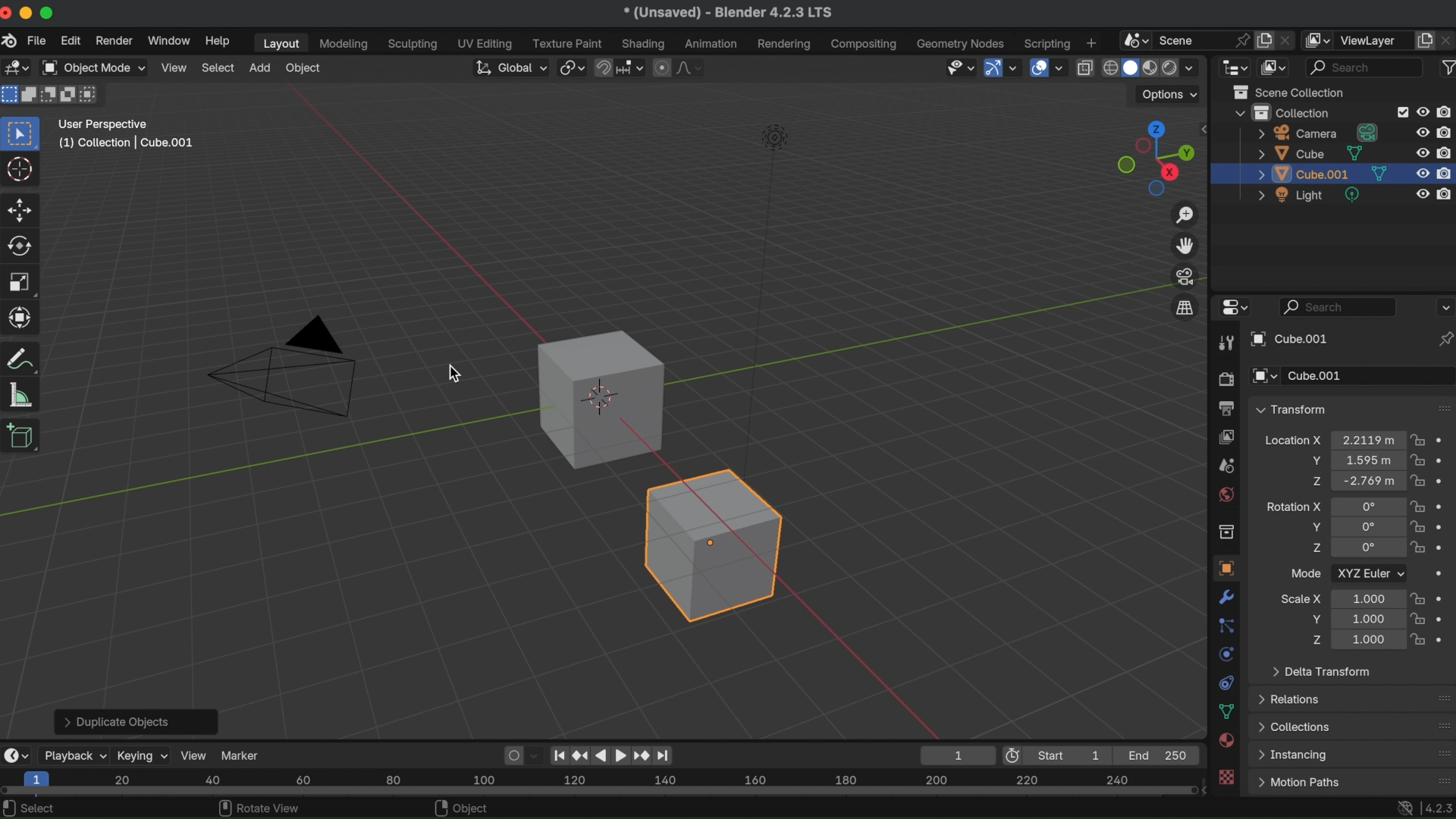 This screenshot has height=819, width=1456. Describe the element at coordinates (1423, 131) in the screenshot. I see `hide in viewport` at that location.